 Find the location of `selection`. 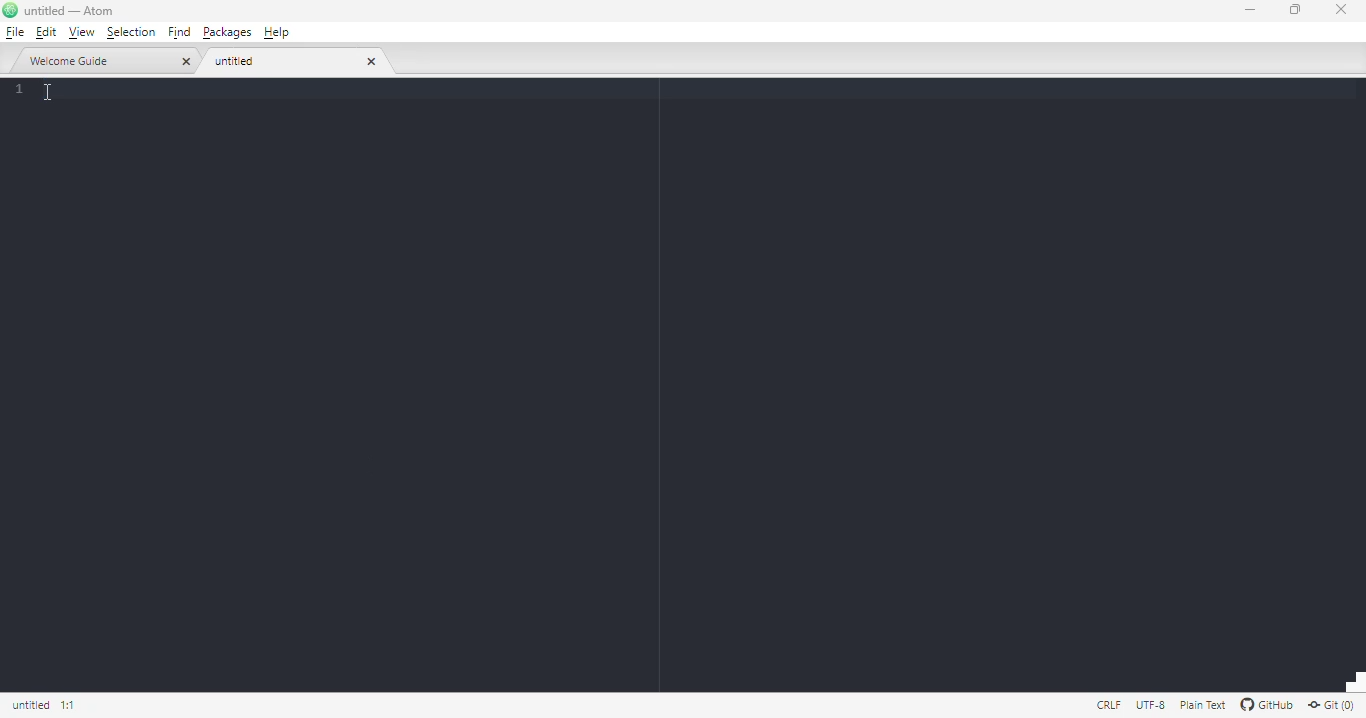

selection is located at coordinates (132, 32).